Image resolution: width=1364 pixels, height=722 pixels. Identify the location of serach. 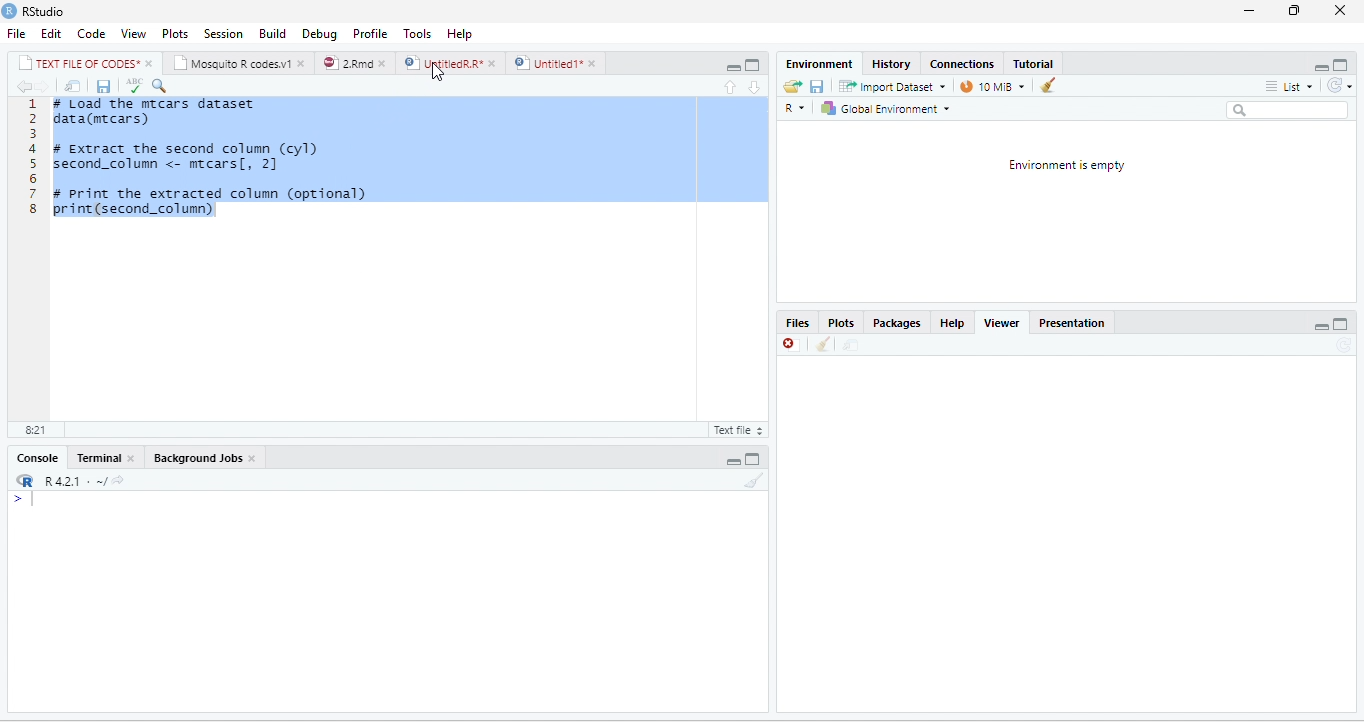
(163, 85).